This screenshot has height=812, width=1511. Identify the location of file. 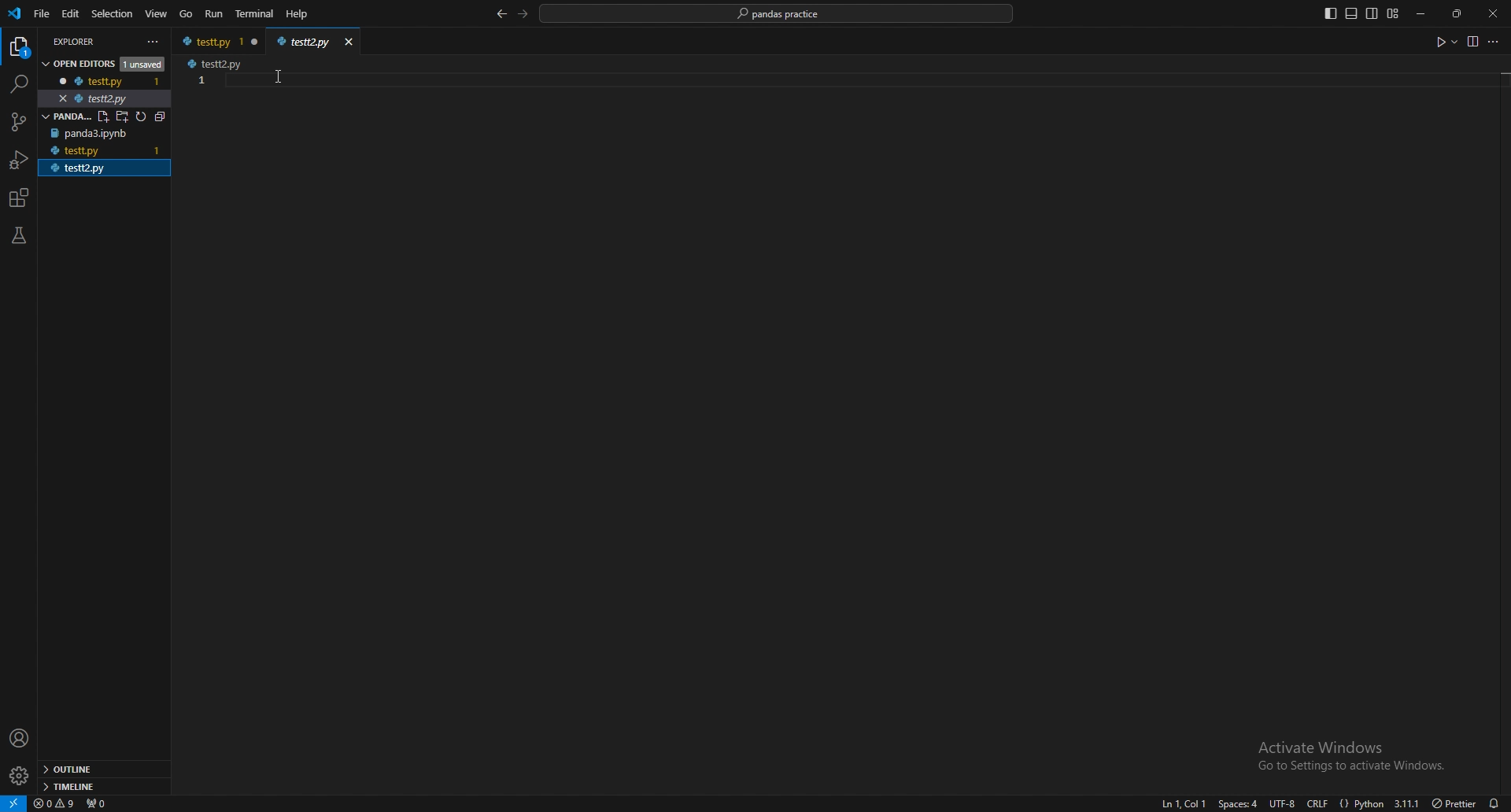
(42, 13).